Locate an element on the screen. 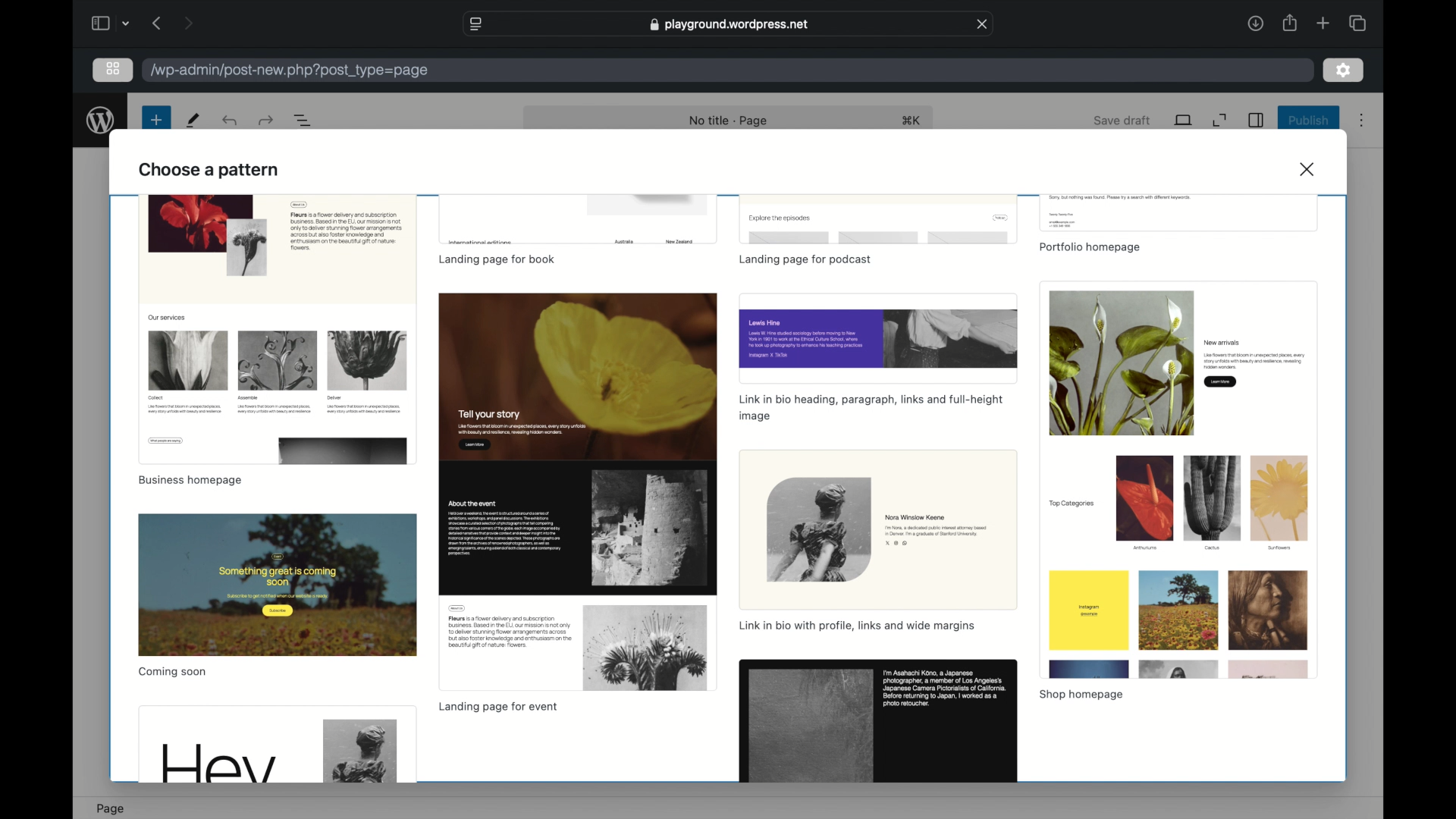  website settings is located at coordinates (475, 23).